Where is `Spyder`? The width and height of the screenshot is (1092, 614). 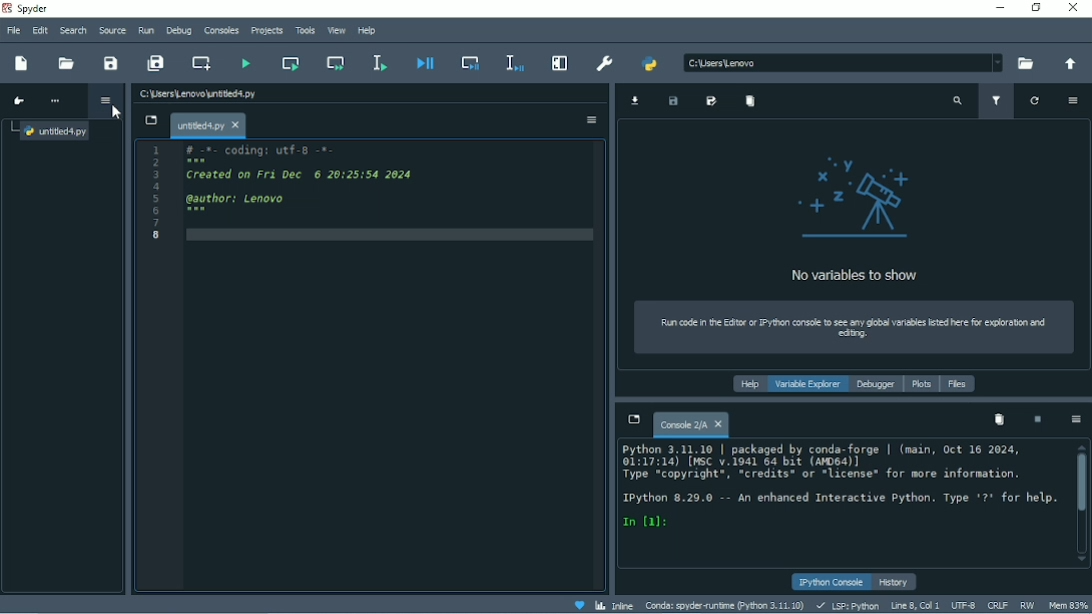 Spyder is located at coordinates (29, 9).